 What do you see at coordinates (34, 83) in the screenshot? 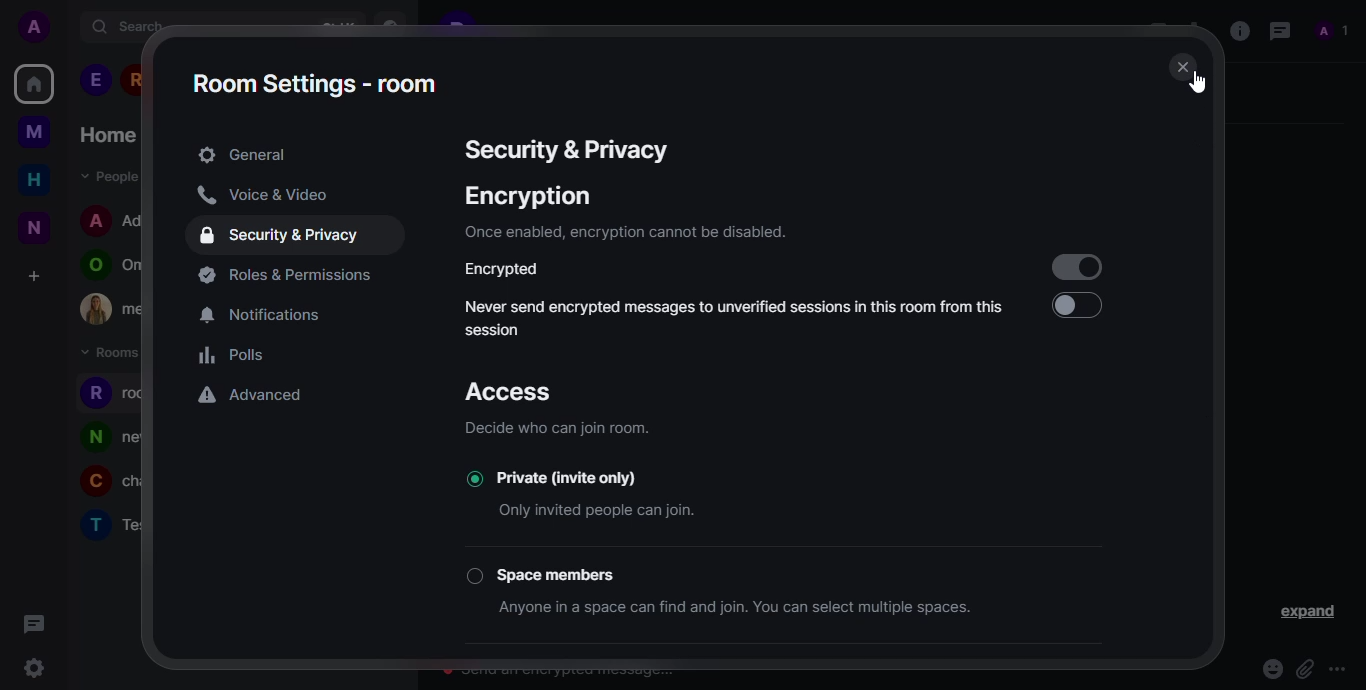
I see `home` at bounding box center [34, 83].